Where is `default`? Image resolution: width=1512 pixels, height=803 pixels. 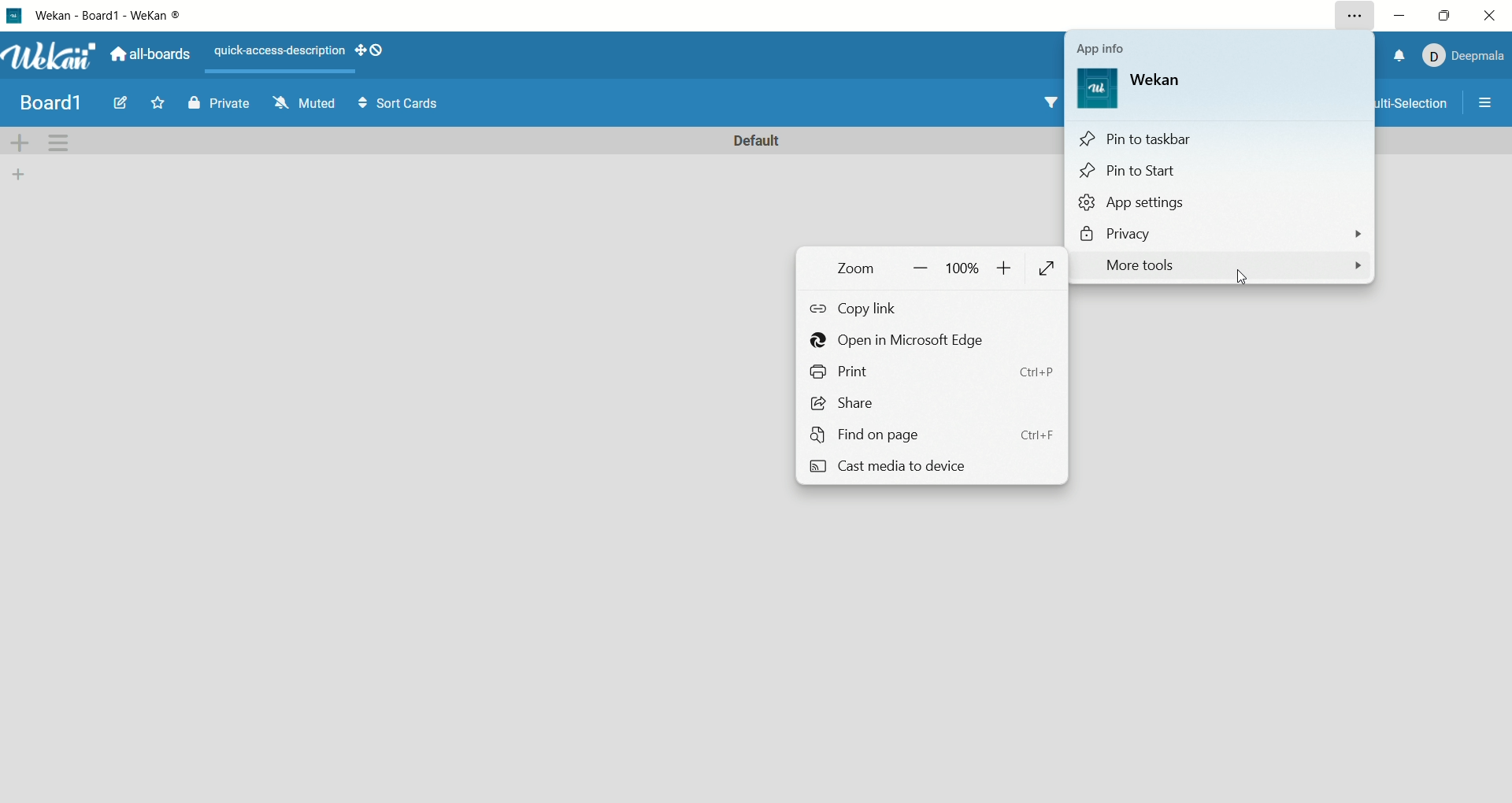 default is located at coordinates (759, 141).